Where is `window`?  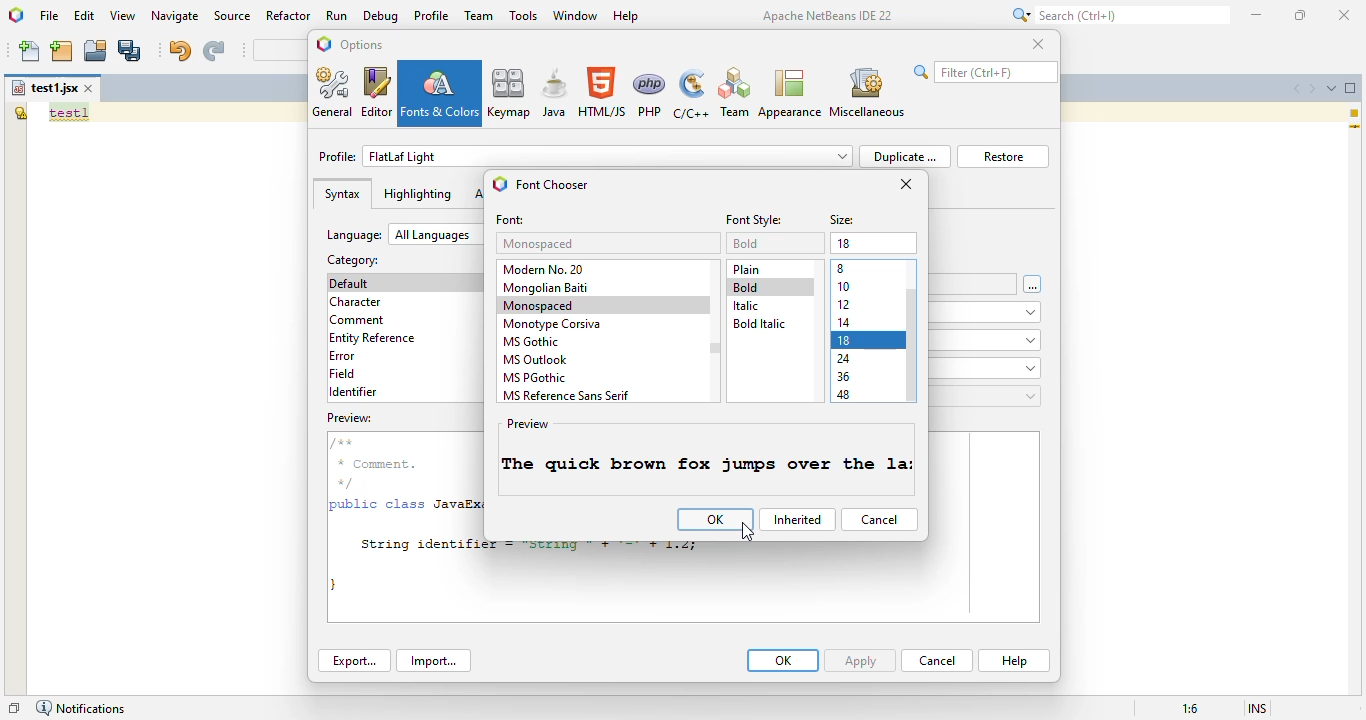 window is located at coordinates (575, 15).